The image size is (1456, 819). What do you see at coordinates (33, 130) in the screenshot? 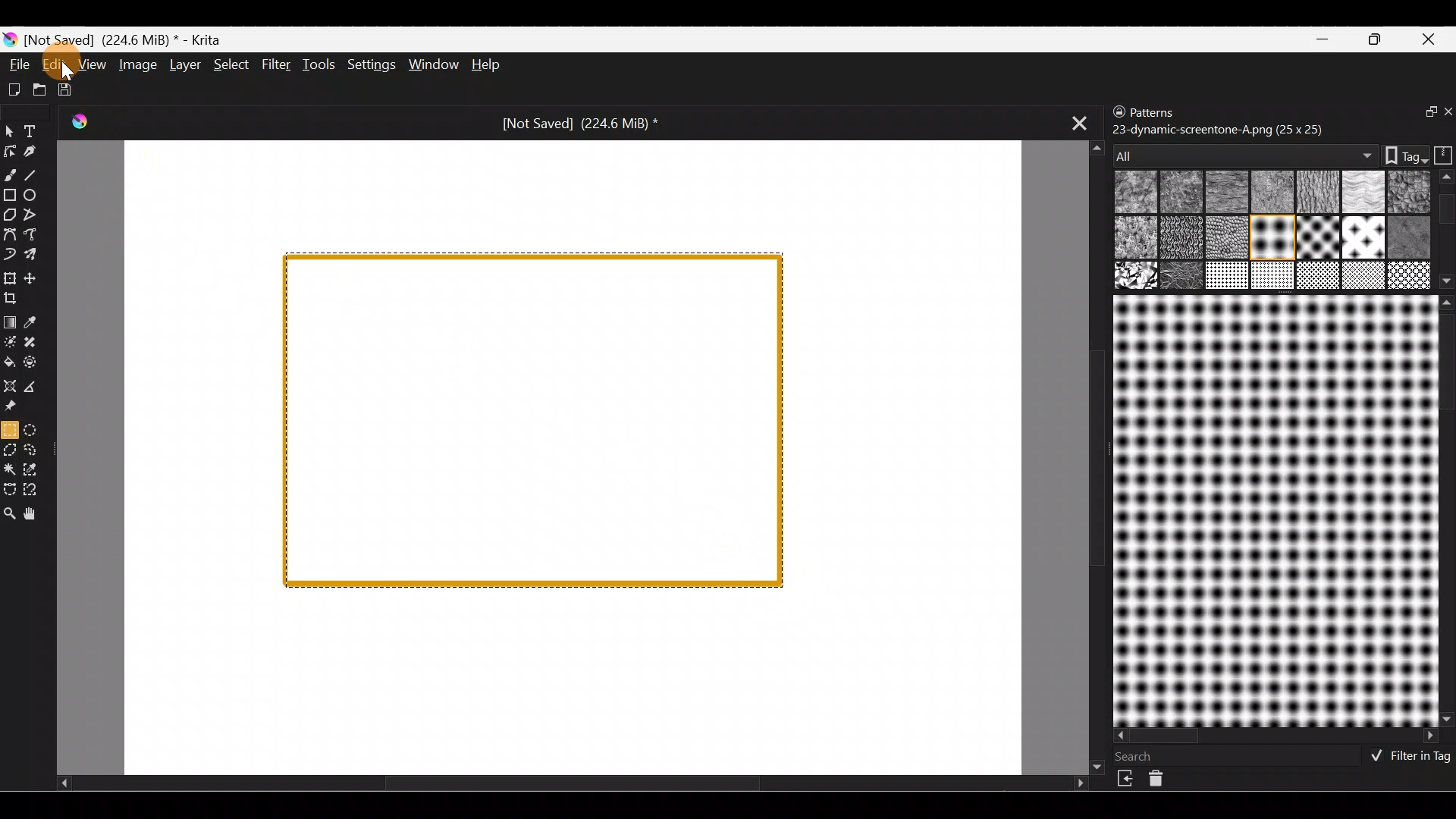
I see `Text tool` at bounding box center [33, 130].